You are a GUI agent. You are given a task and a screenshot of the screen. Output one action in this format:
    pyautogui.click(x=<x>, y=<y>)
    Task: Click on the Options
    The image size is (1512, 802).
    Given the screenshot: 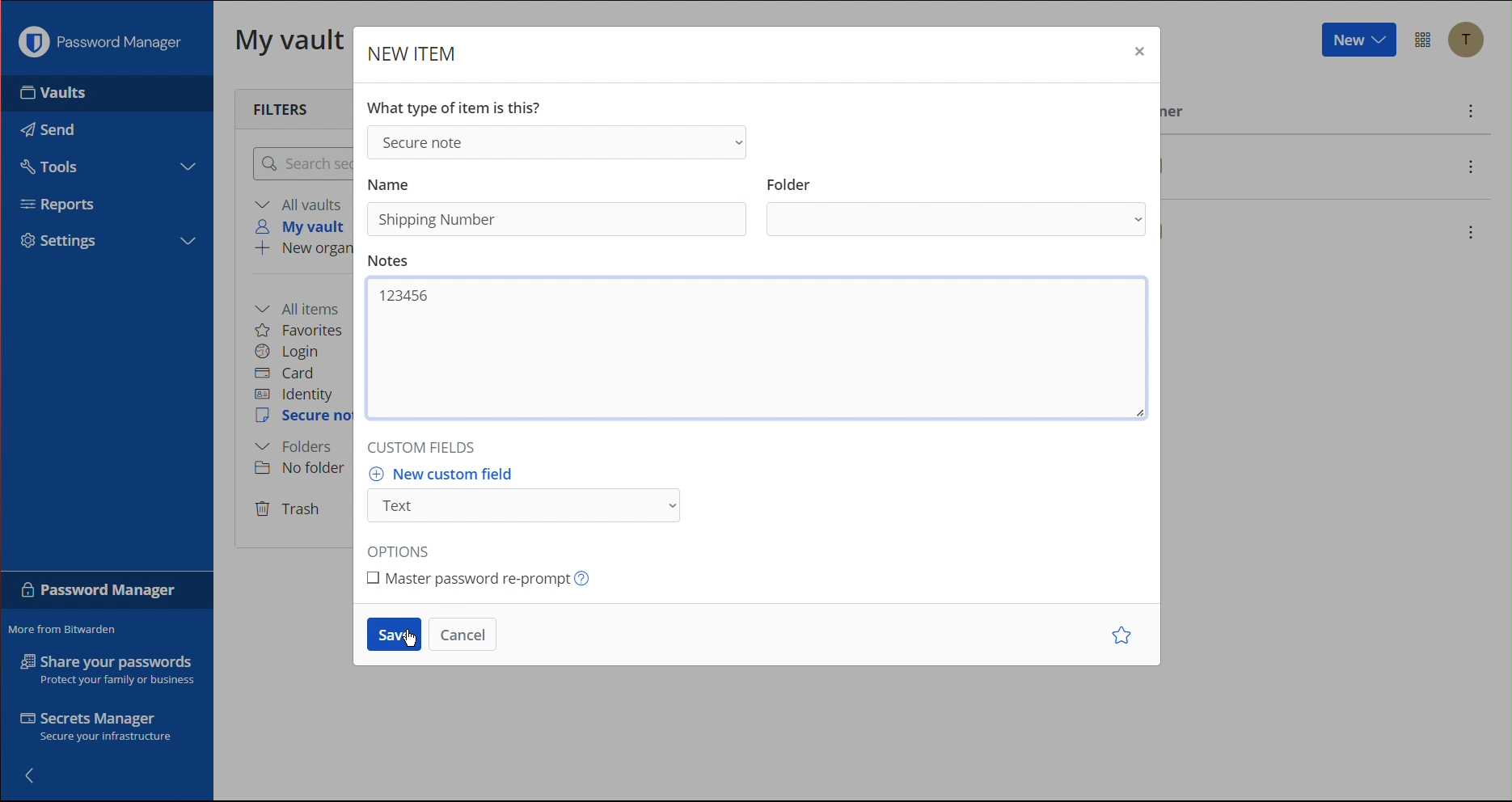 What is the action you would take?
    pyautogui.click(x=403, y=548)
    